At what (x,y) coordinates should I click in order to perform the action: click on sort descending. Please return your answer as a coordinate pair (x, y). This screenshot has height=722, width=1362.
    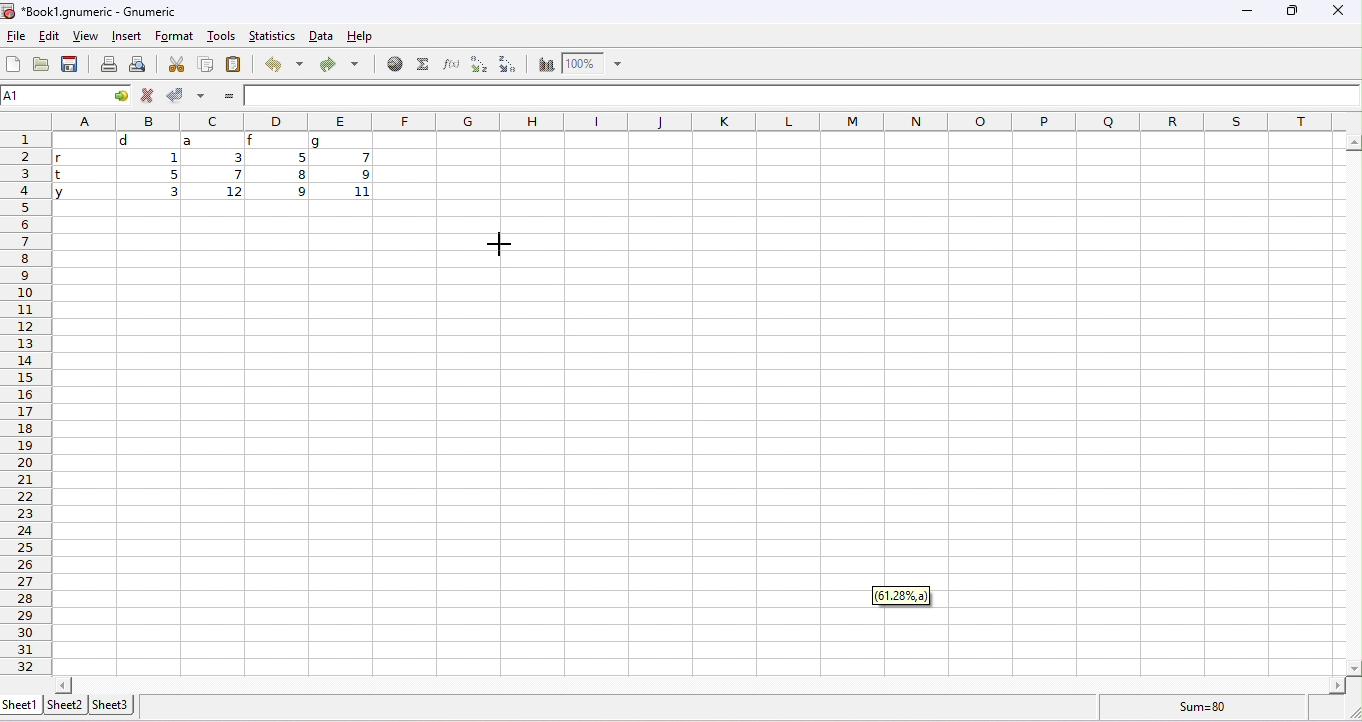
    Looking at the image, I should click on (509, 63).